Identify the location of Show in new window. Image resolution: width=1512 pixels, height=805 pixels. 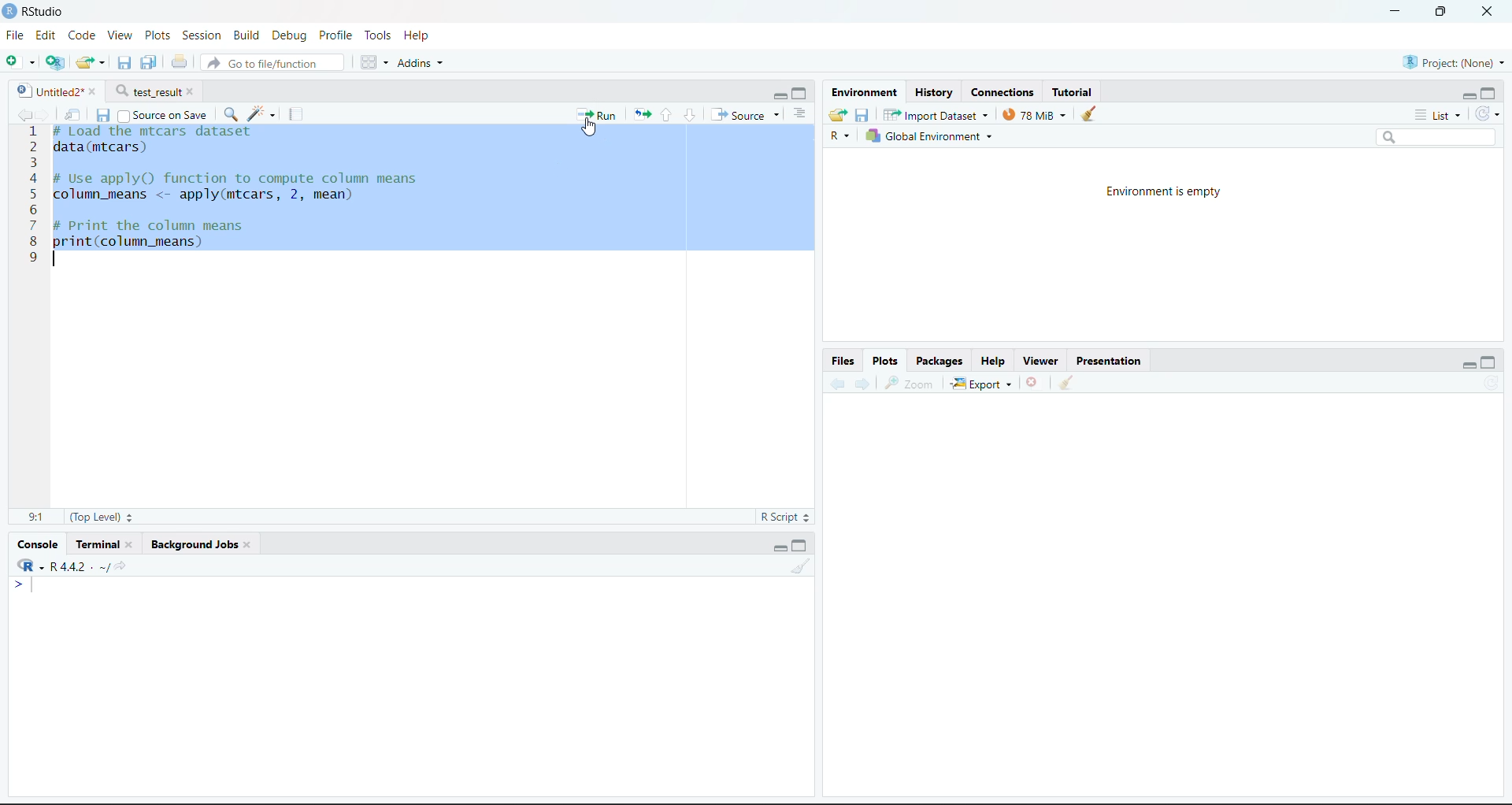
(77, 113).